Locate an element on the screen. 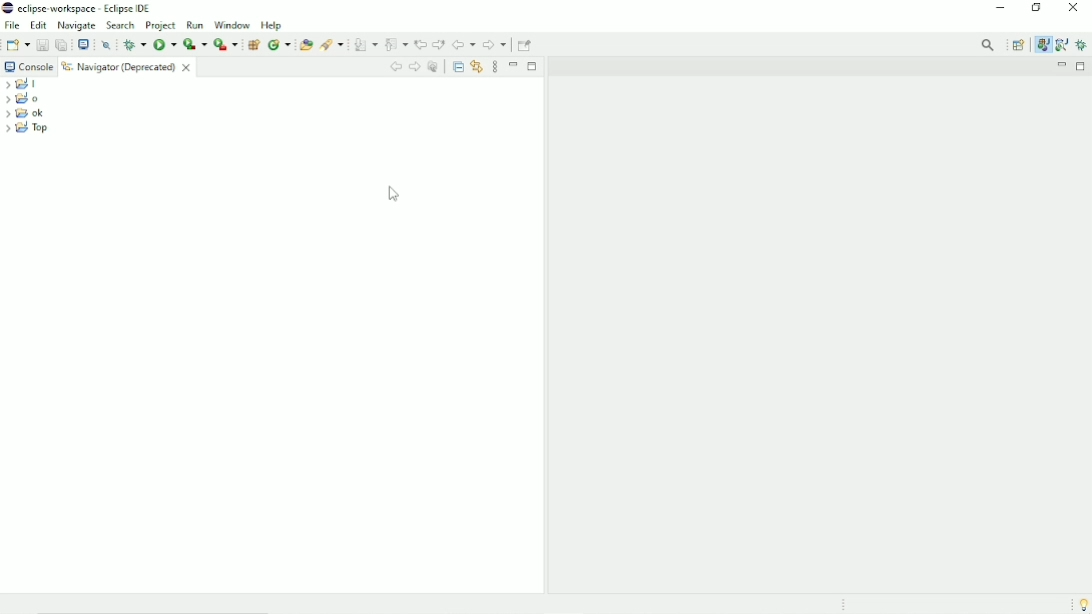  Help is located at coordinates (273, 25).